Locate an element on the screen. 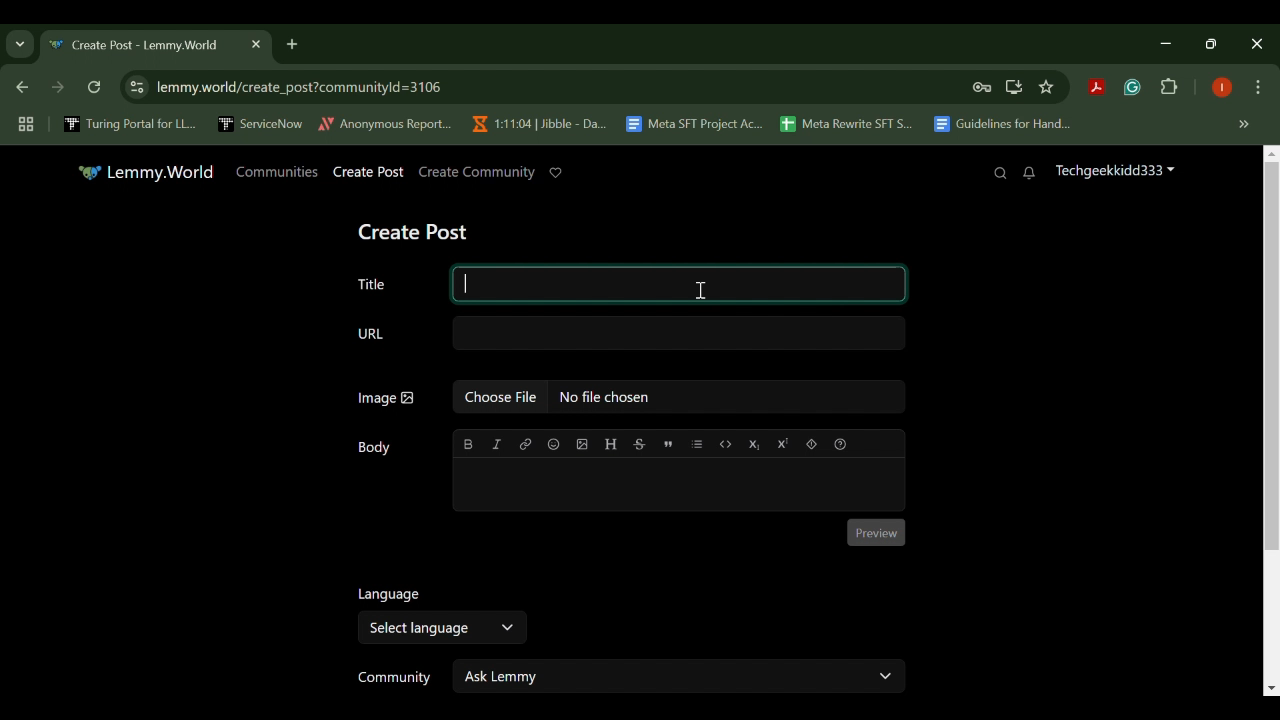 The height and width of the screenshot is (720, 1280). Preview is located at coordinates (877, 533).